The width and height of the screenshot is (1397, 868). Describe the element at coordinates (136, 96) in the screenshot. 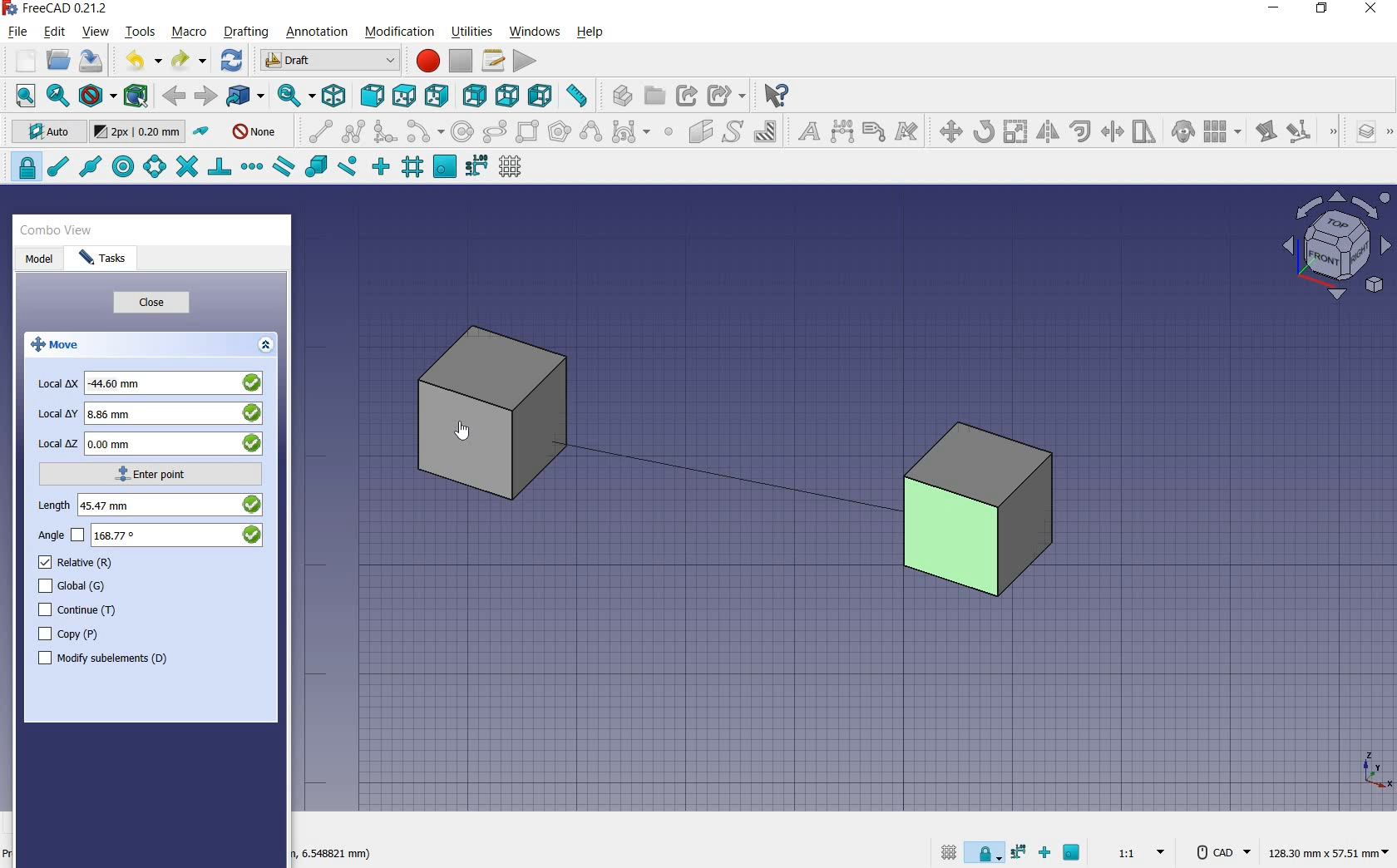

I see `bounding box` at that location.